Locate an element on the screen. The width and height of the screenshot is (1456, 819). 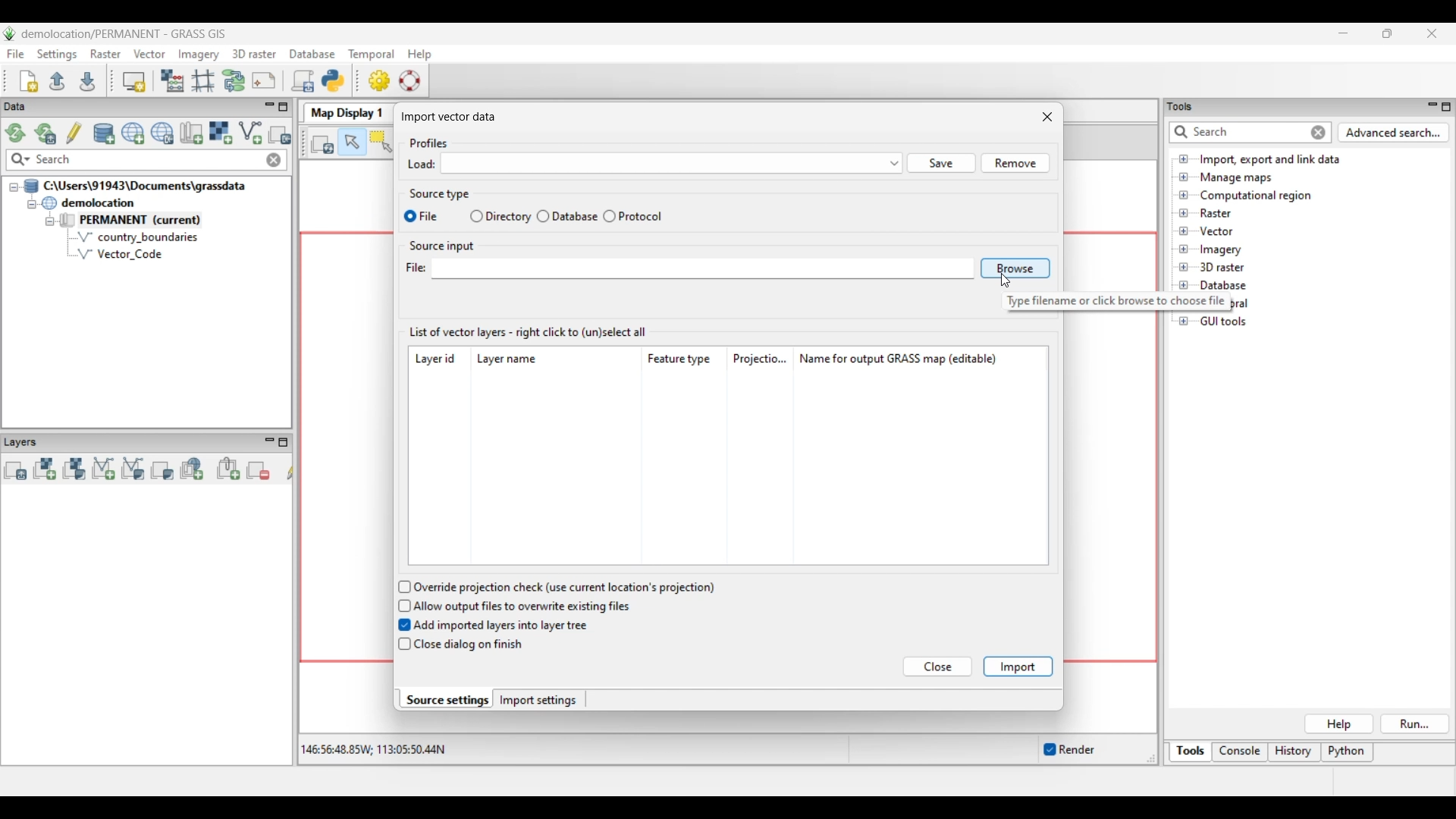
Click to open Manage maps is located at coordinates (1184, 177).